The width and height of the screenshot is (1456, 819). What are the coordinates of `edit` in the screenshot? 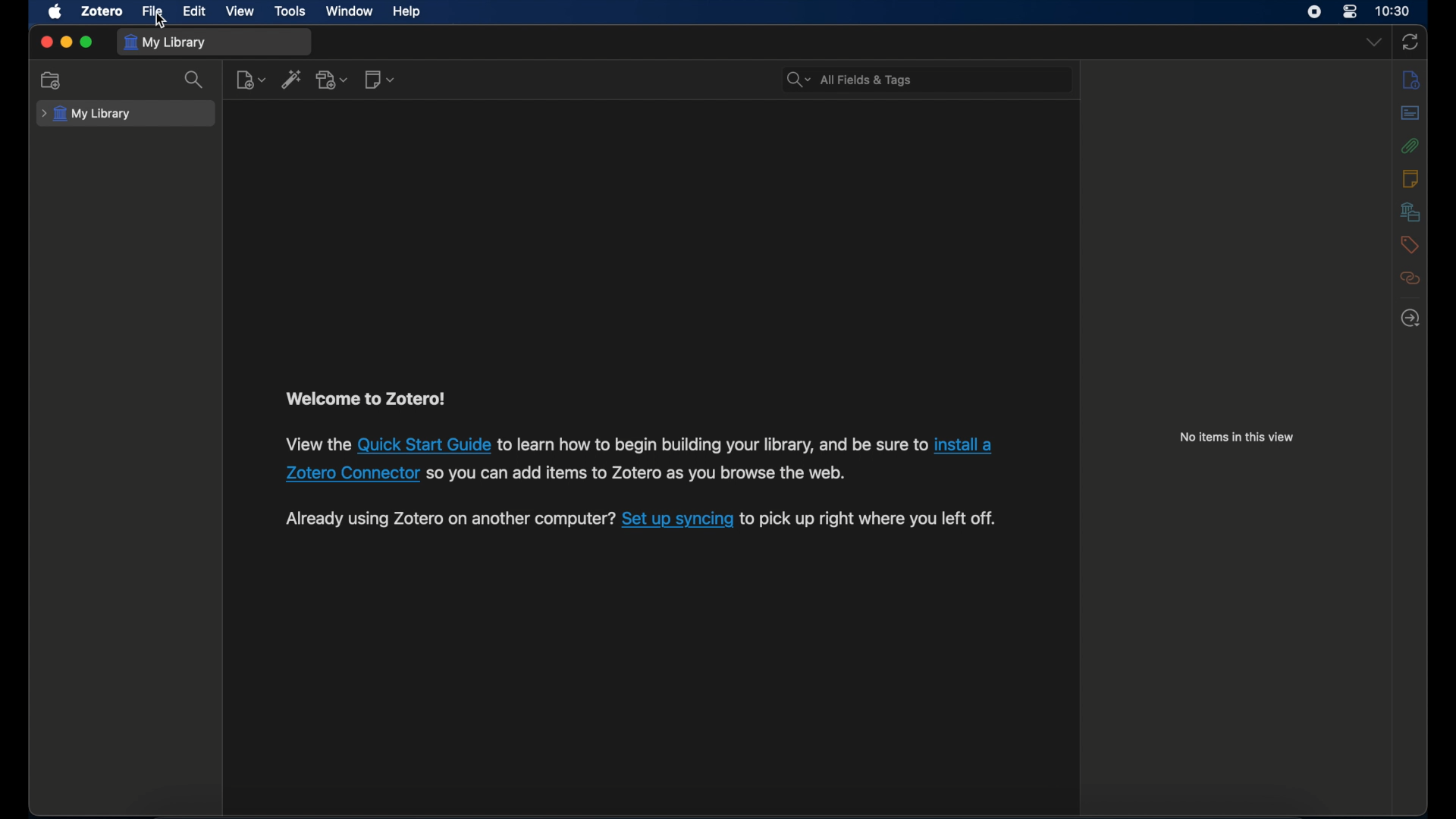 It's located at (196, 11).